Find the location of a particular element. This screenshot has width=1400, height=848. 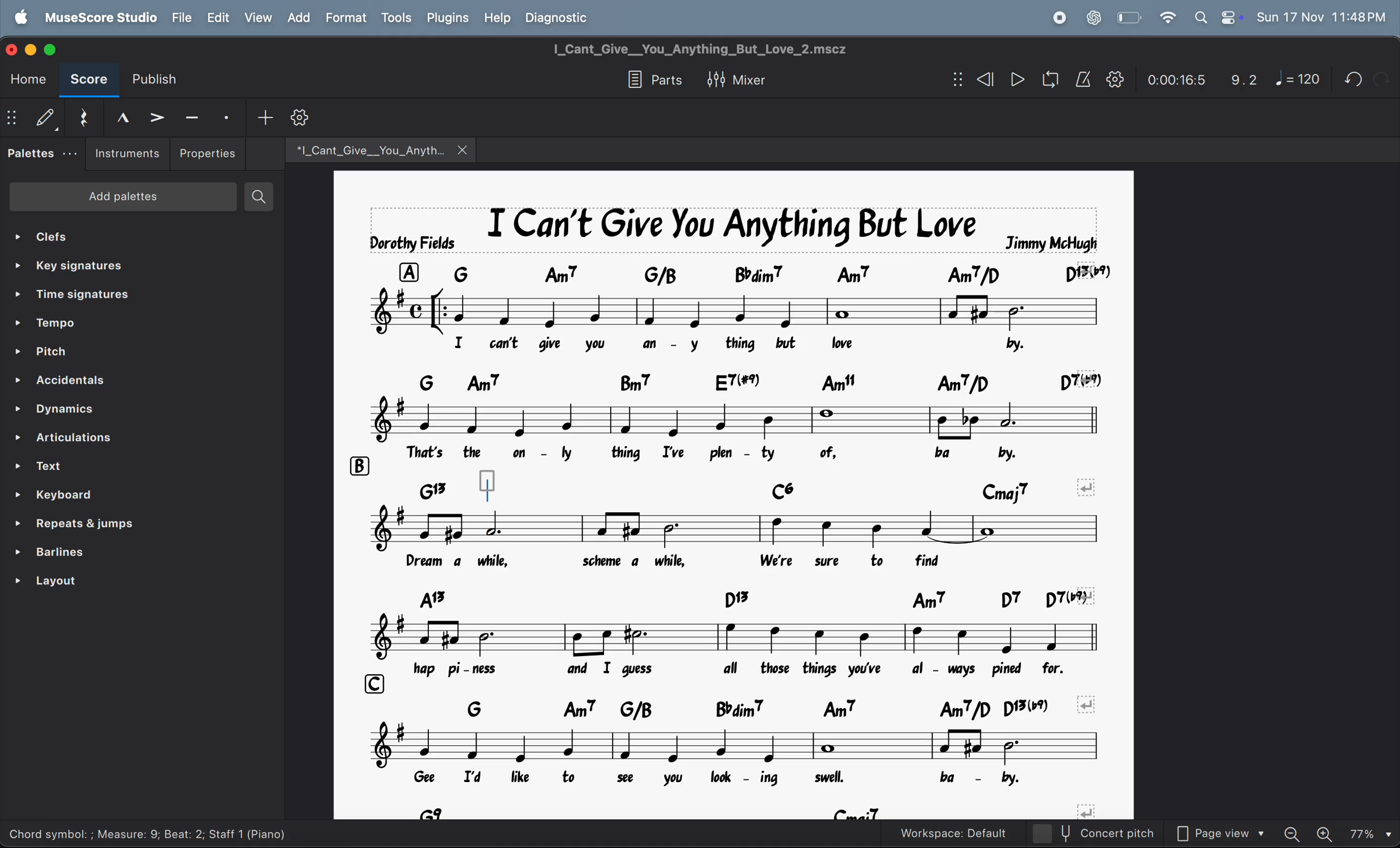

search is located at coordinates (265, 197).